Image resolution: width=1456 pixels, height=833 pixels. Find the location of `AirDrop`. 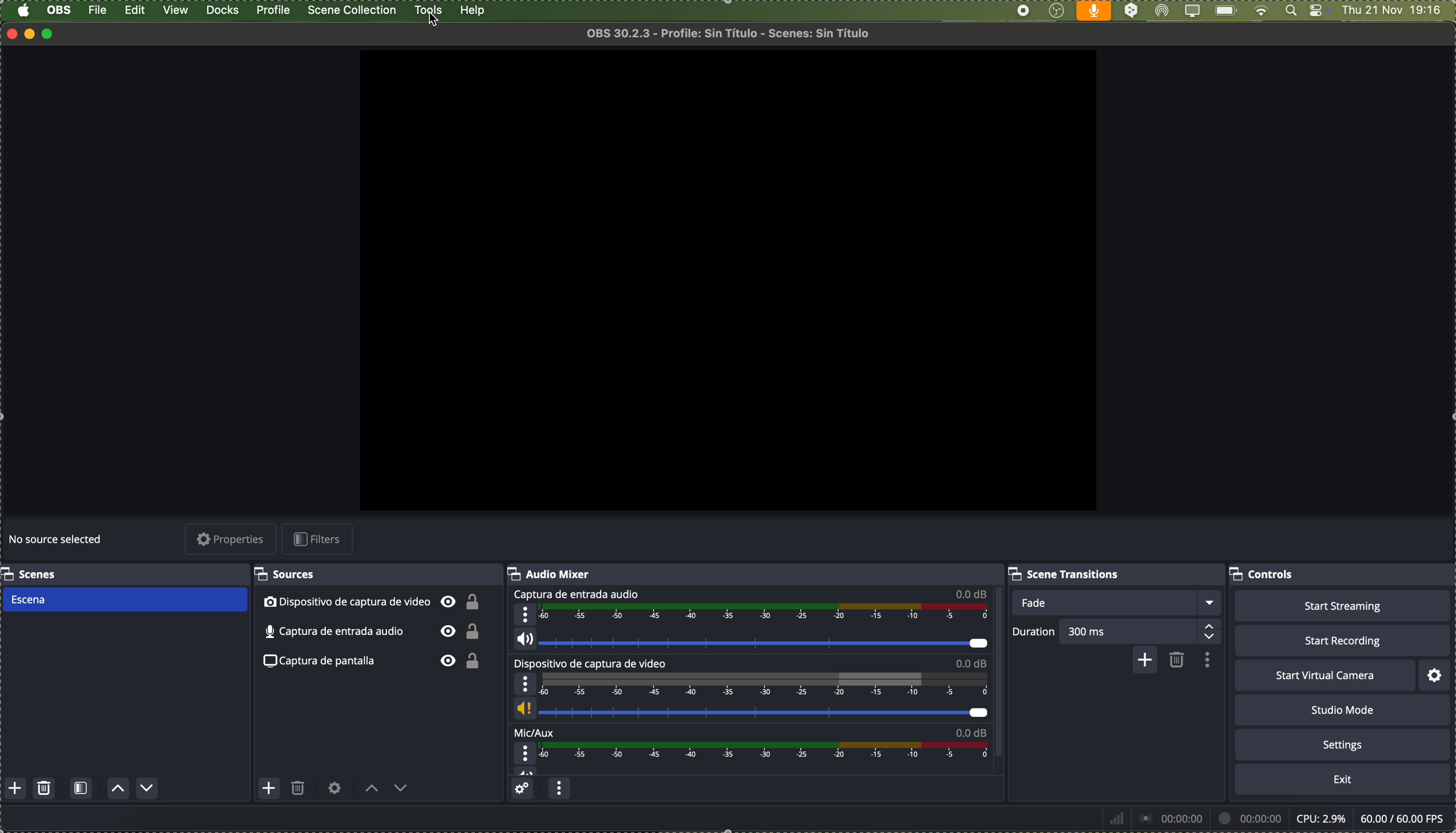

AirDrop is located at coordinates (1163, 11).